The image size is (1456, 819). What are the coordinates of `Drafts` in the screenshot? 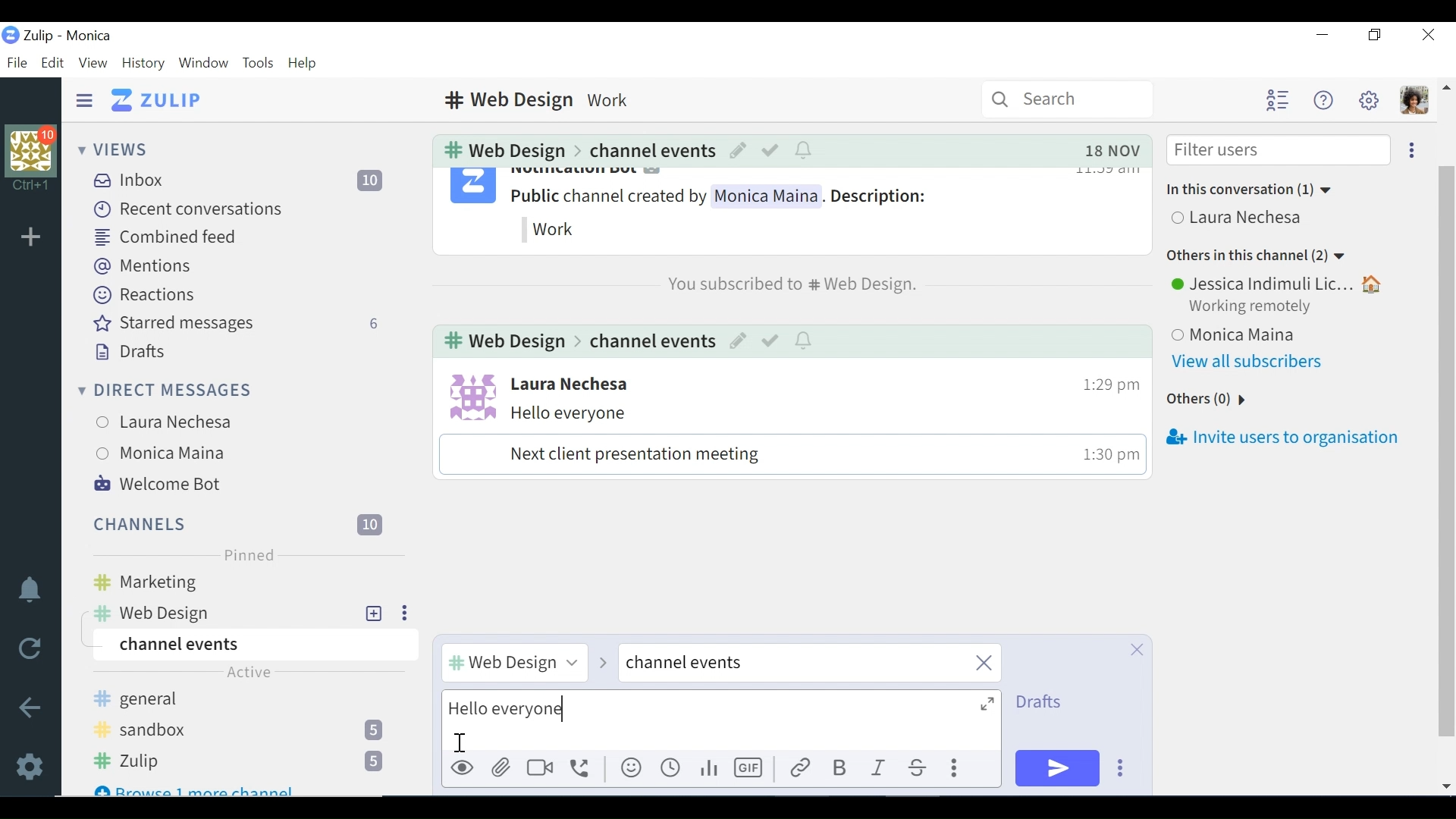 It's located at (128, 350).